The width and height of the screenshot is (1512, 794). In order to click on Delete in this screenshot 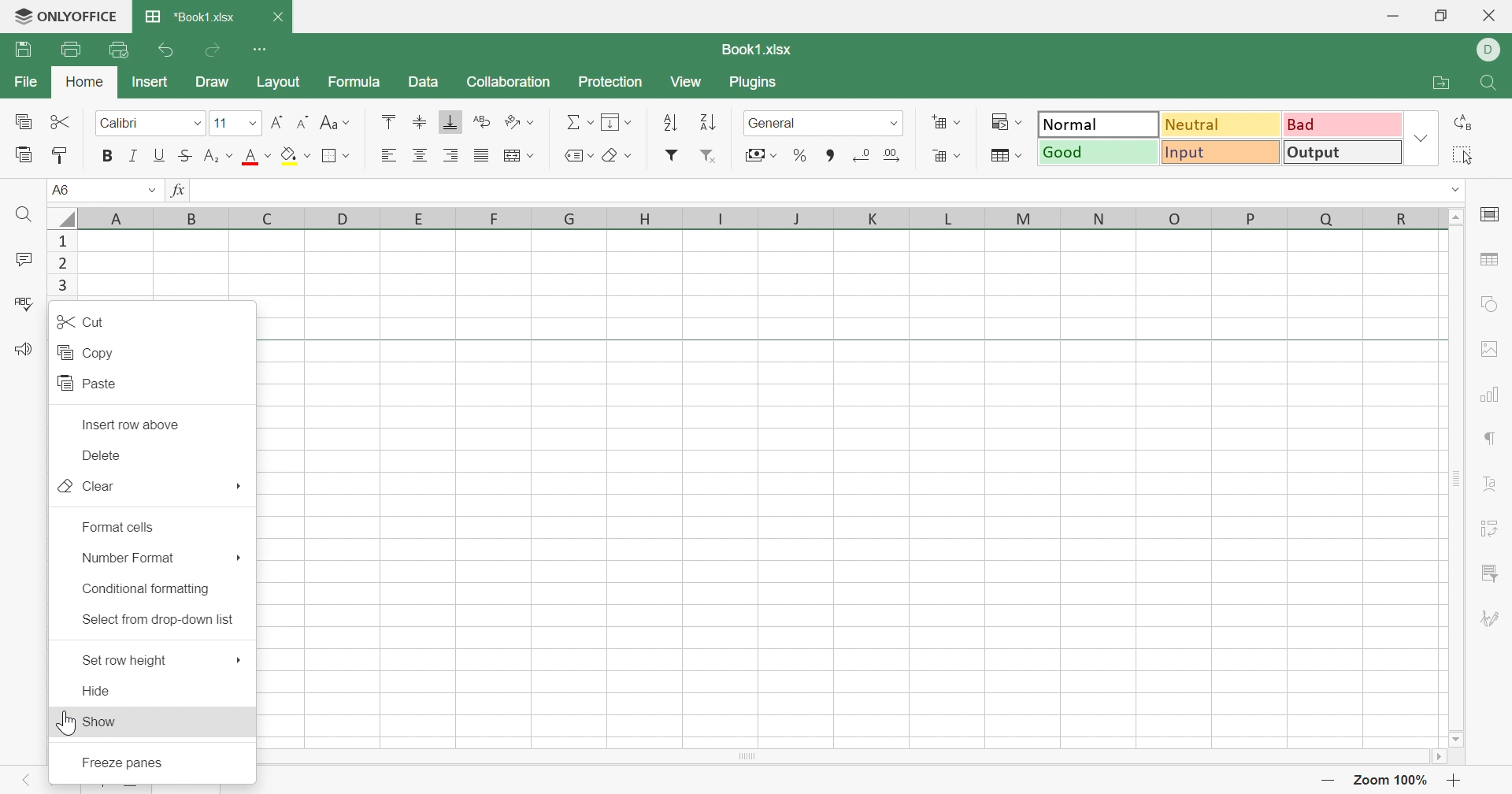, I will do `click(102, 457)`.